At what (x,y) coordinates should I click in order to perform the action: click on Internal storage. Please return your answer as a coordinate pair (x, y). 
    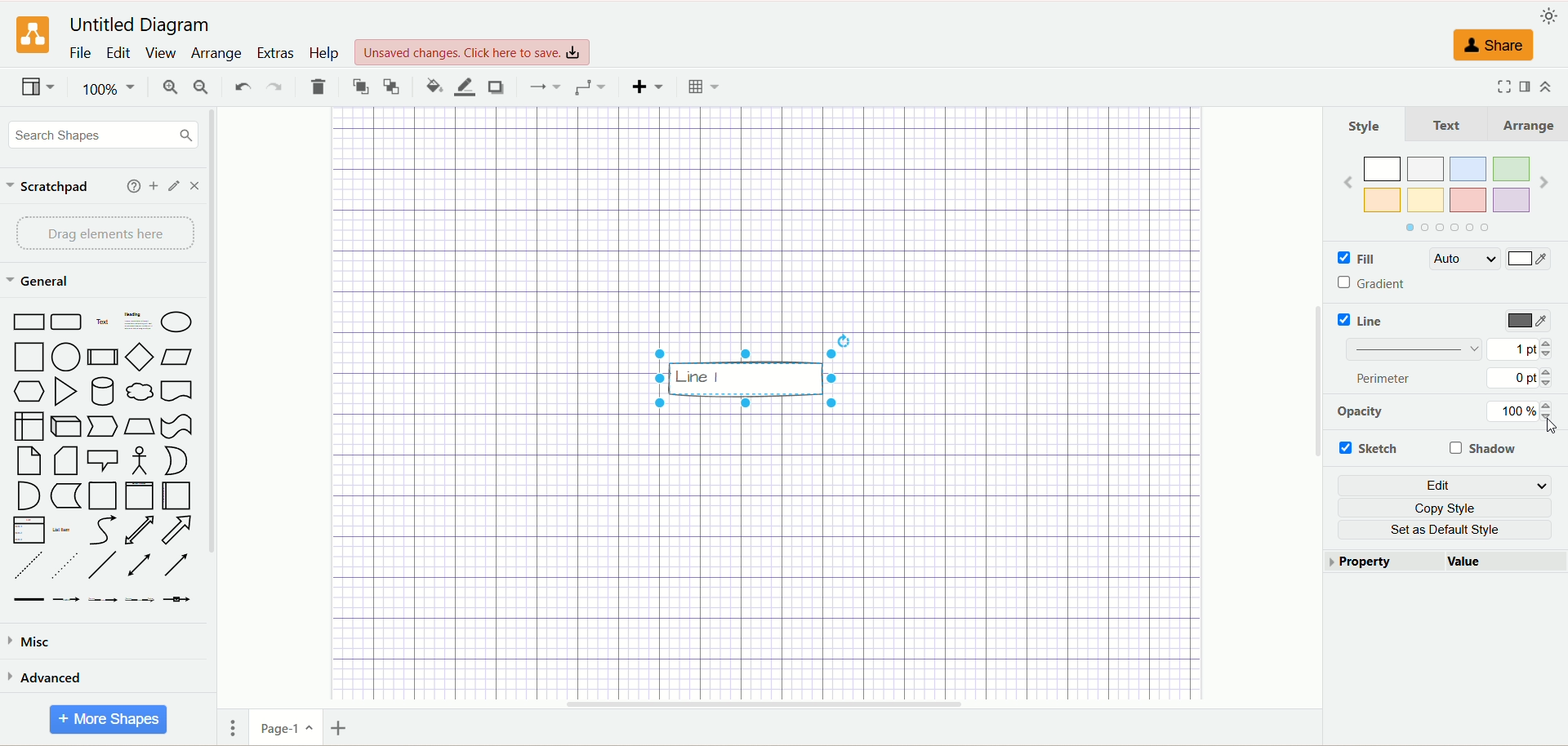
    Looking at the image, I should click on (28, 426).